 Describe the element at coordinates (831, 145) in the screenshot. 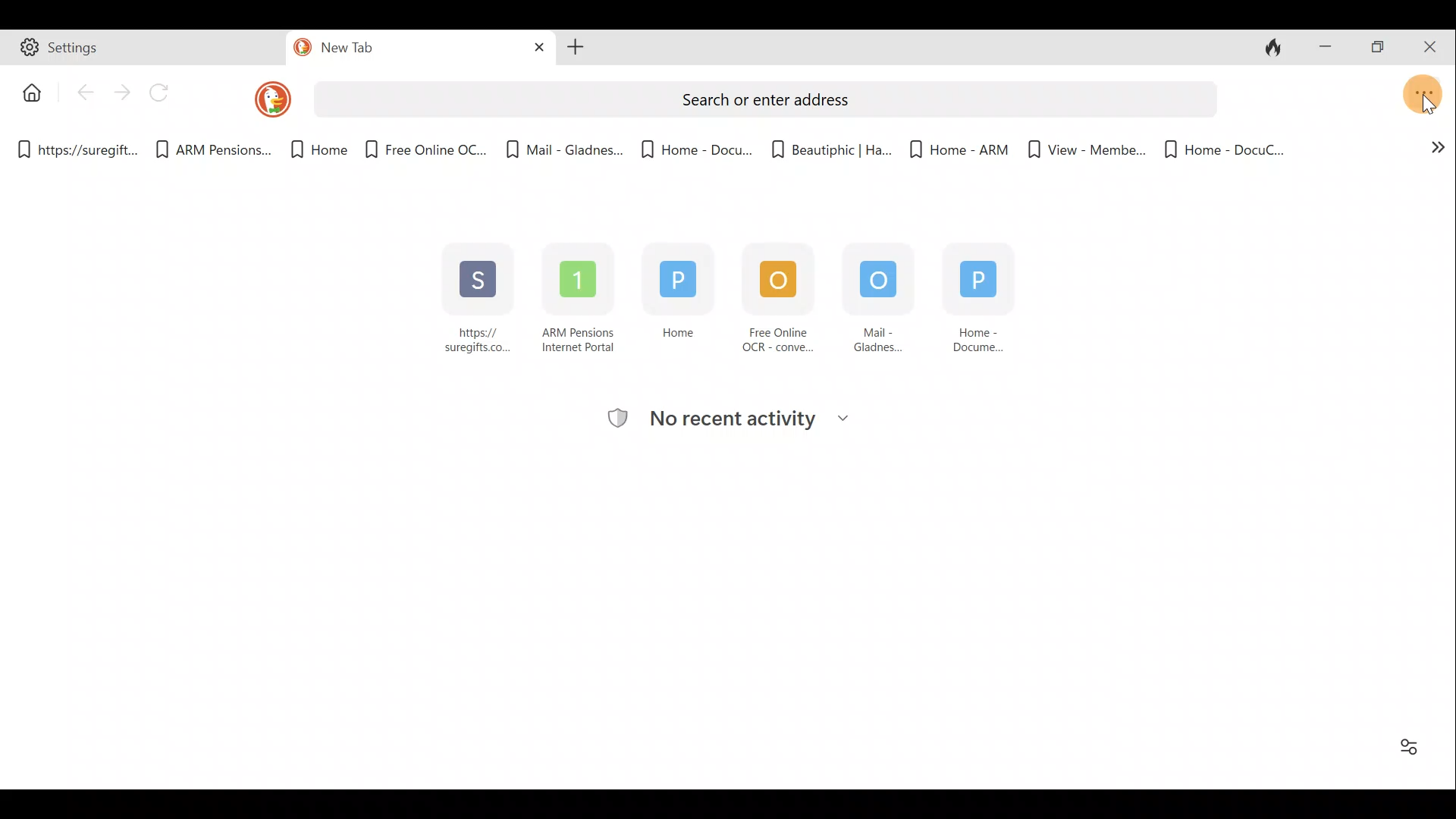

I see `Bookmark 7` at that location.